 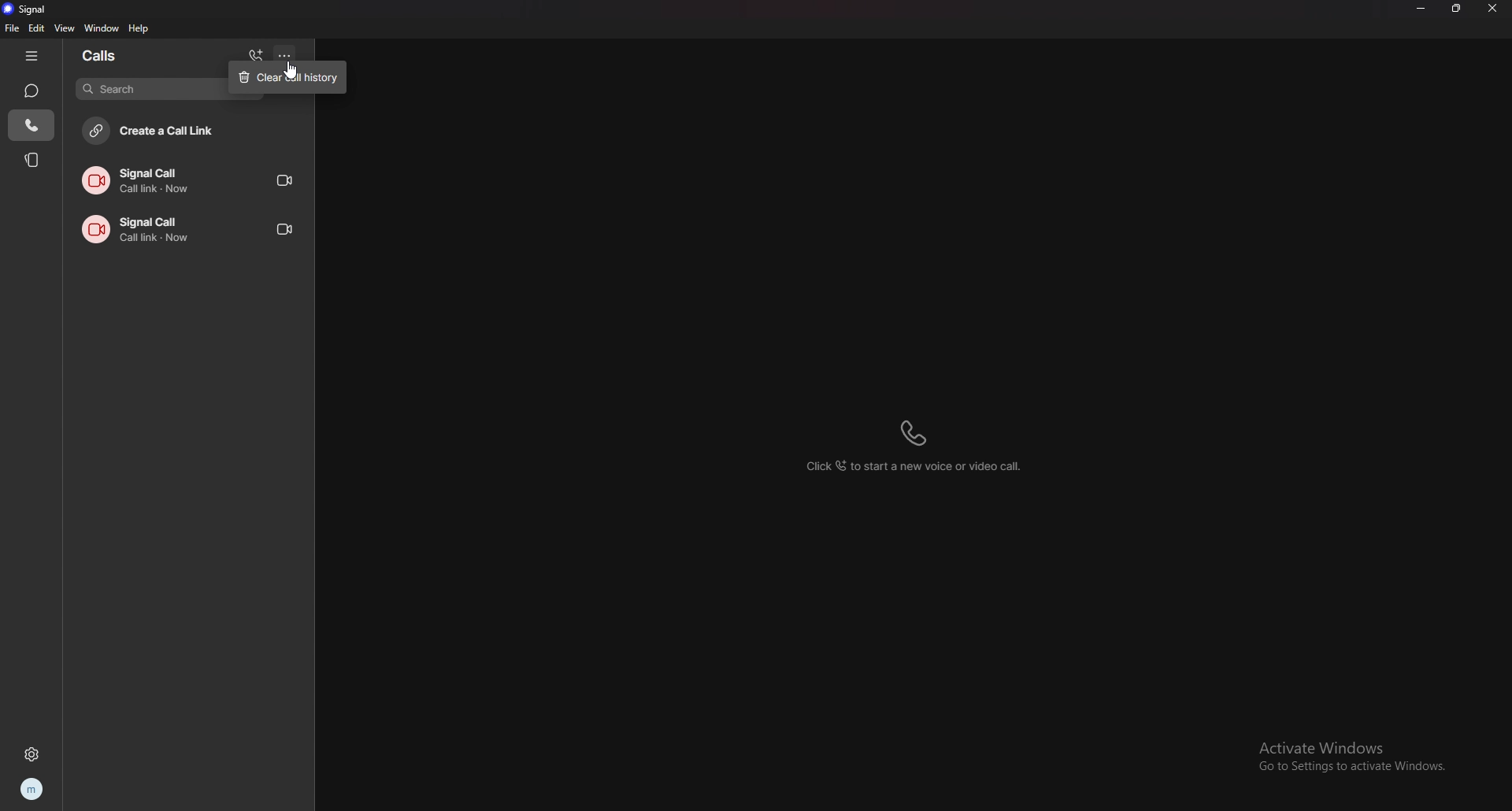 I want to click on settings, so click(x=31, y=754).